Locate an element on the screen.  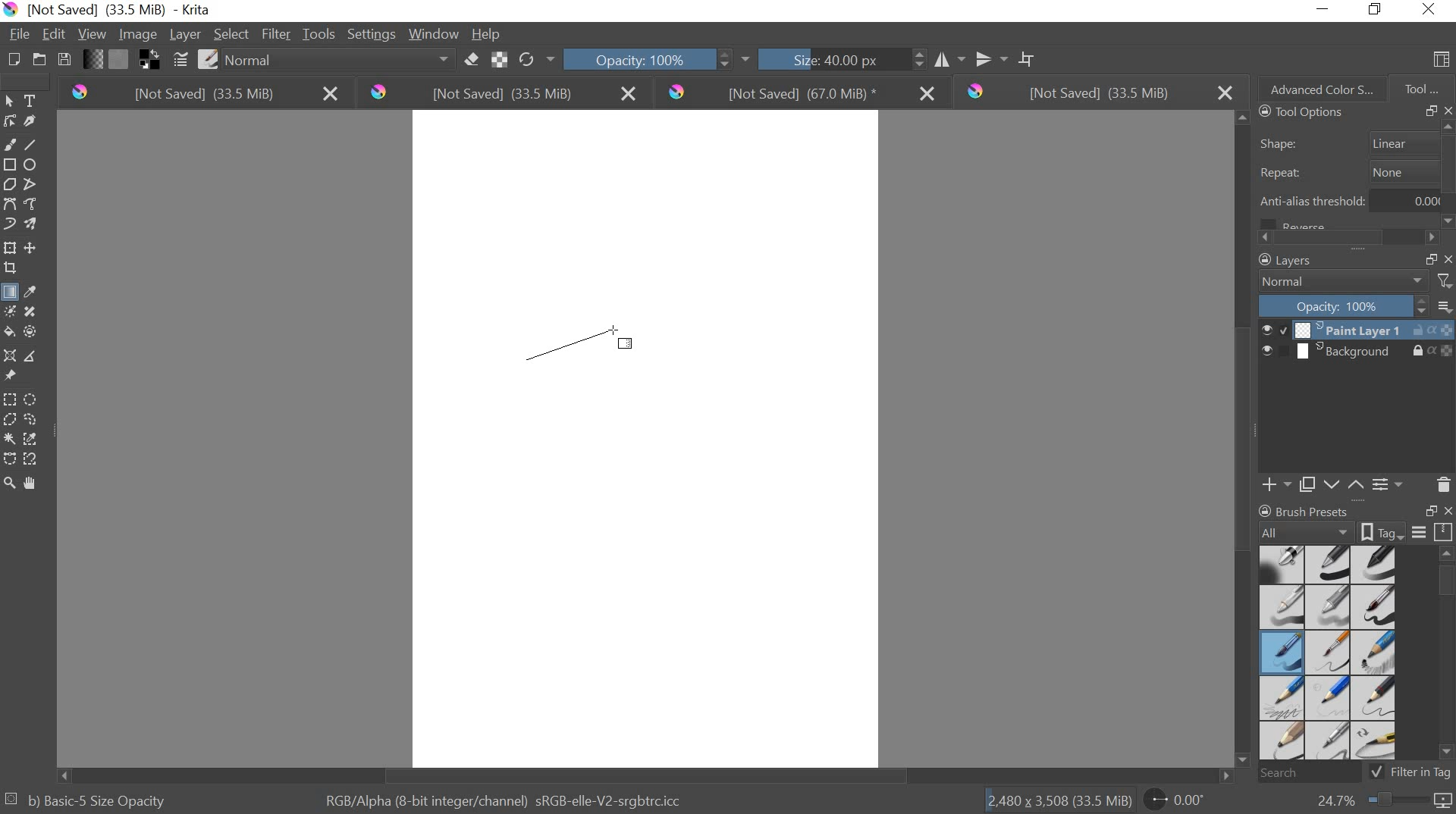
HELP is located at coordinates (487, 35).